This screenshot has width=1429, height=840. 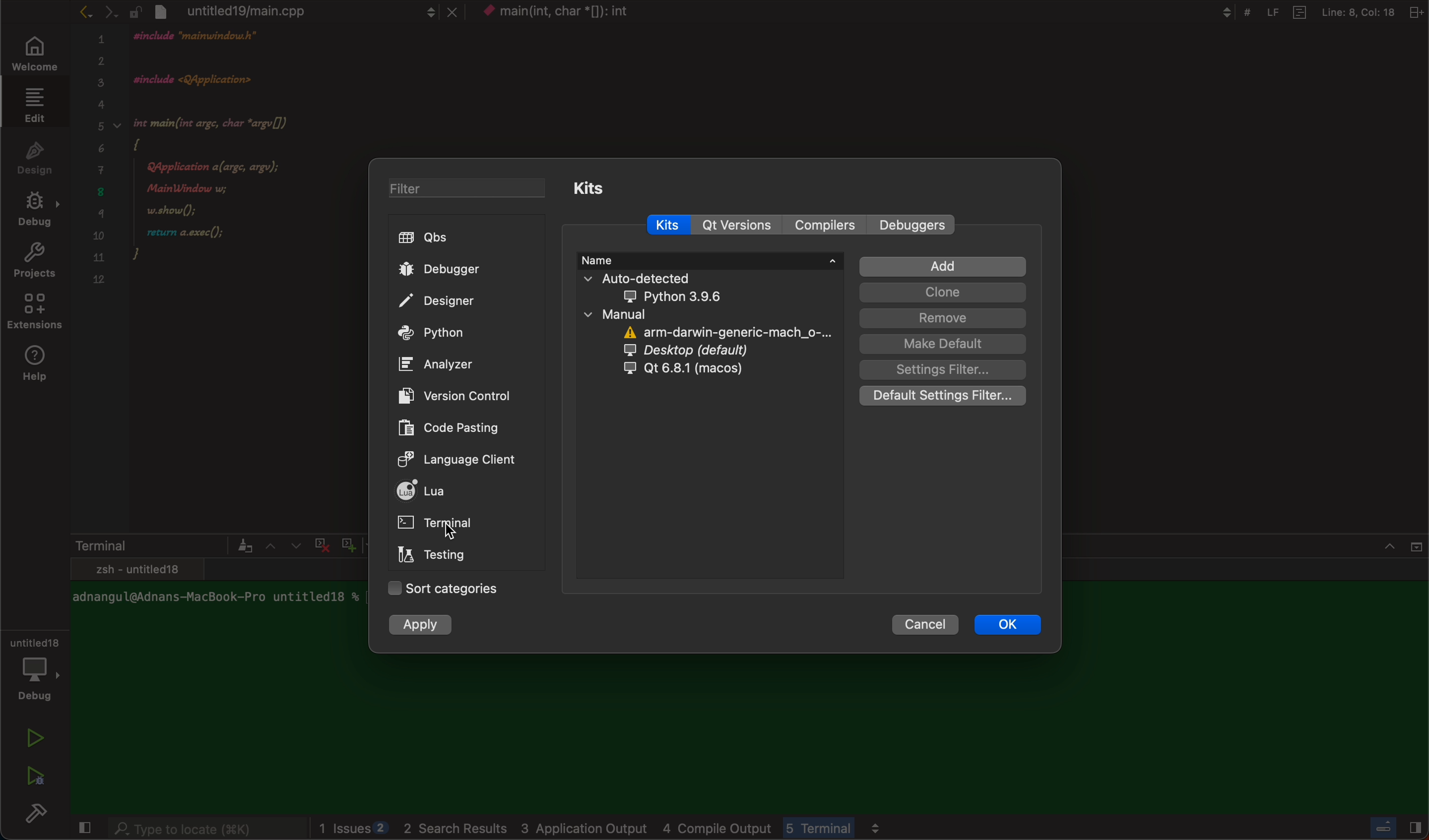 I want to click on on mouse down, so click(x=454, y=533).